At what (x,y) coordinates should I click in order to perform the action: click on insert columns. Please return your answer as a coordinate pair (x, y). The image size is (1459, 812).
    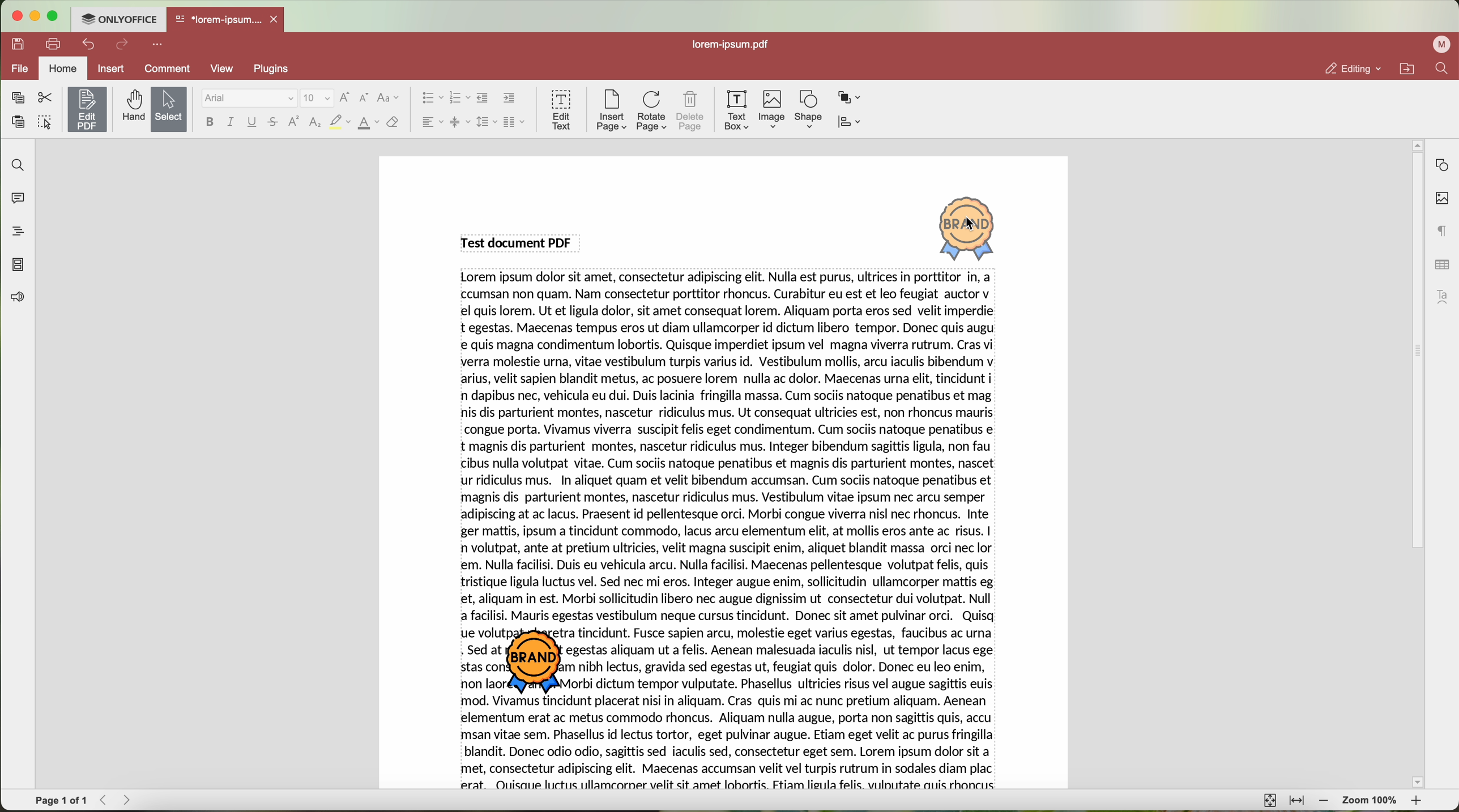
    Looking at the image, I should click on (515, 123).